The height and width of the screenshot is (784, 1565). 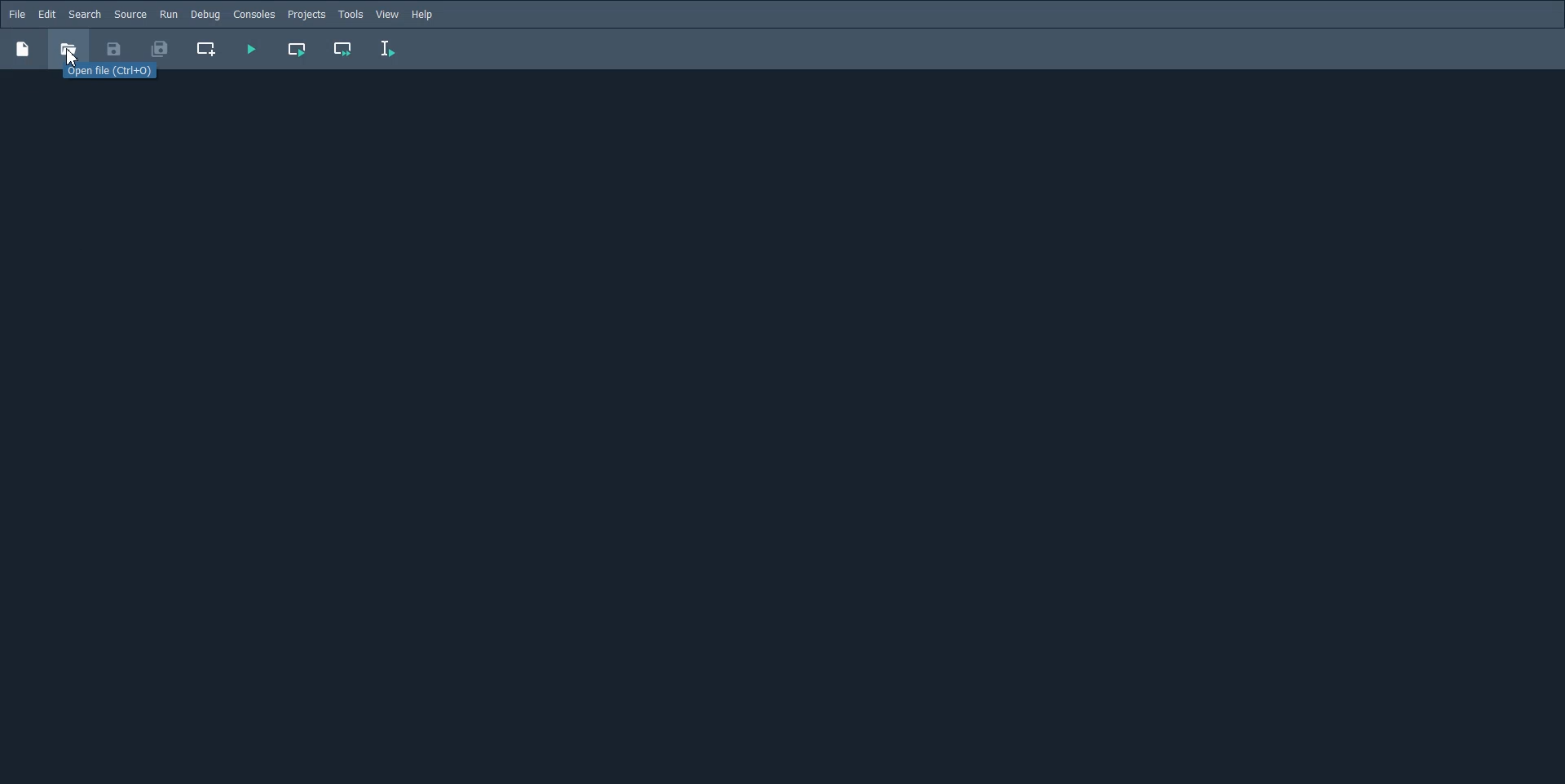 What do you see at coordinates (169, 14) in the screenshot?
I see `Run` at bounding box center [169, 14].